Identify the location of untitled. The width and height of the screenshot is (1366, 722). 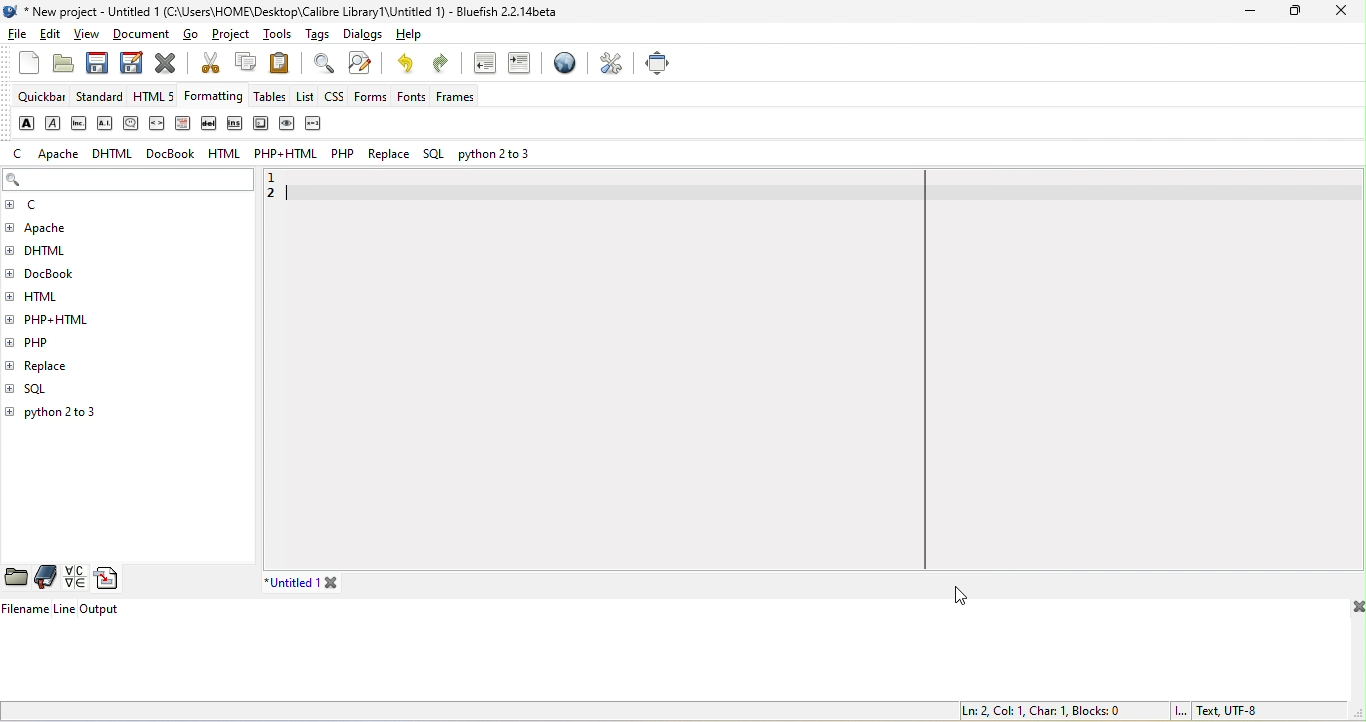
(292, 582).